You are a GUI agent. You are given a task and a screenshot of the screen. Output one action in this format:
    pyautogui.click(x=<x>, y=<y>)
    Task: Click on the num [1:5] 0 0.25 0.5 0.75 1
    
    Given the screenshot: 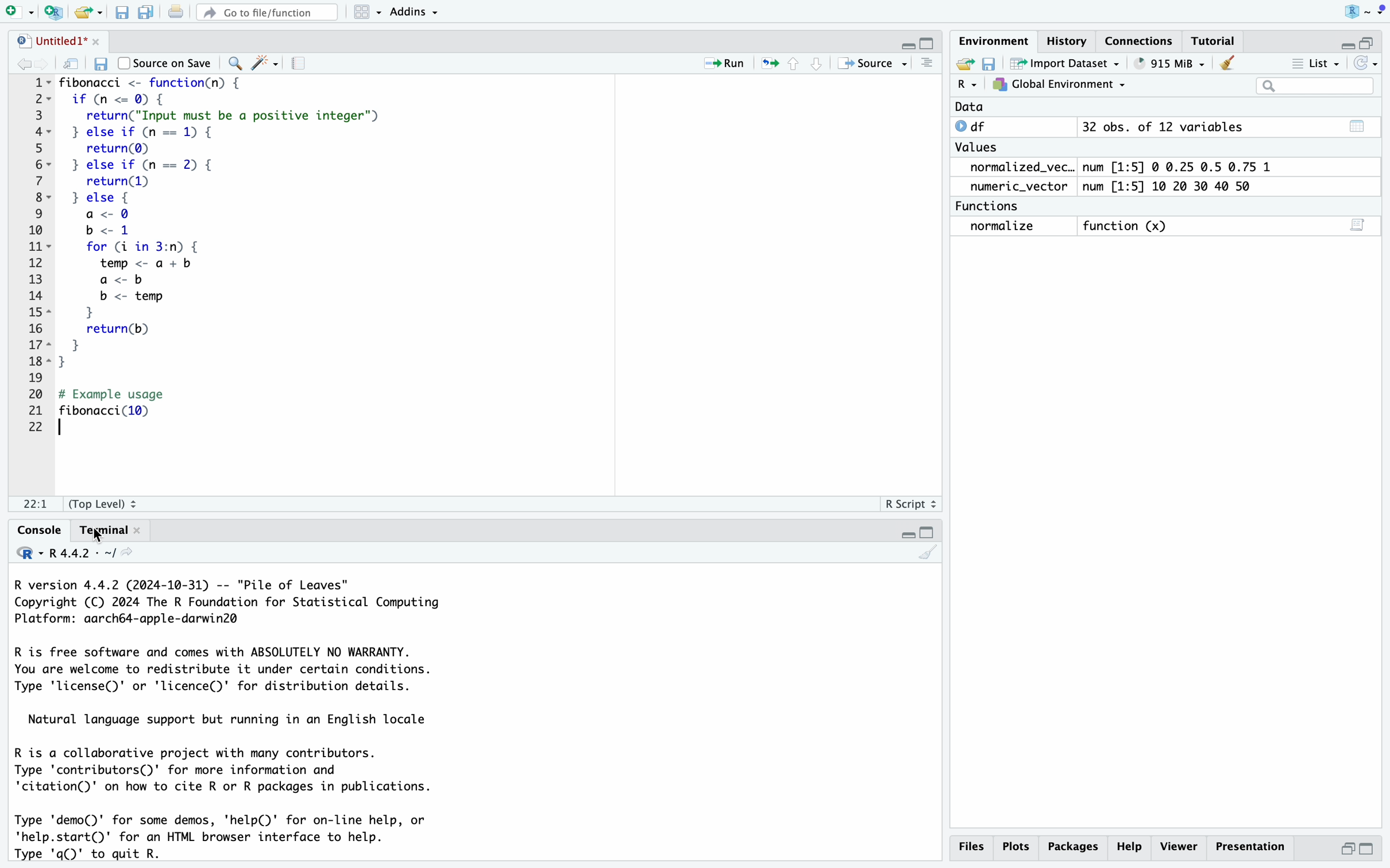 What is the action you would take?
    pyautogui.click(x=1175, y=165)
    